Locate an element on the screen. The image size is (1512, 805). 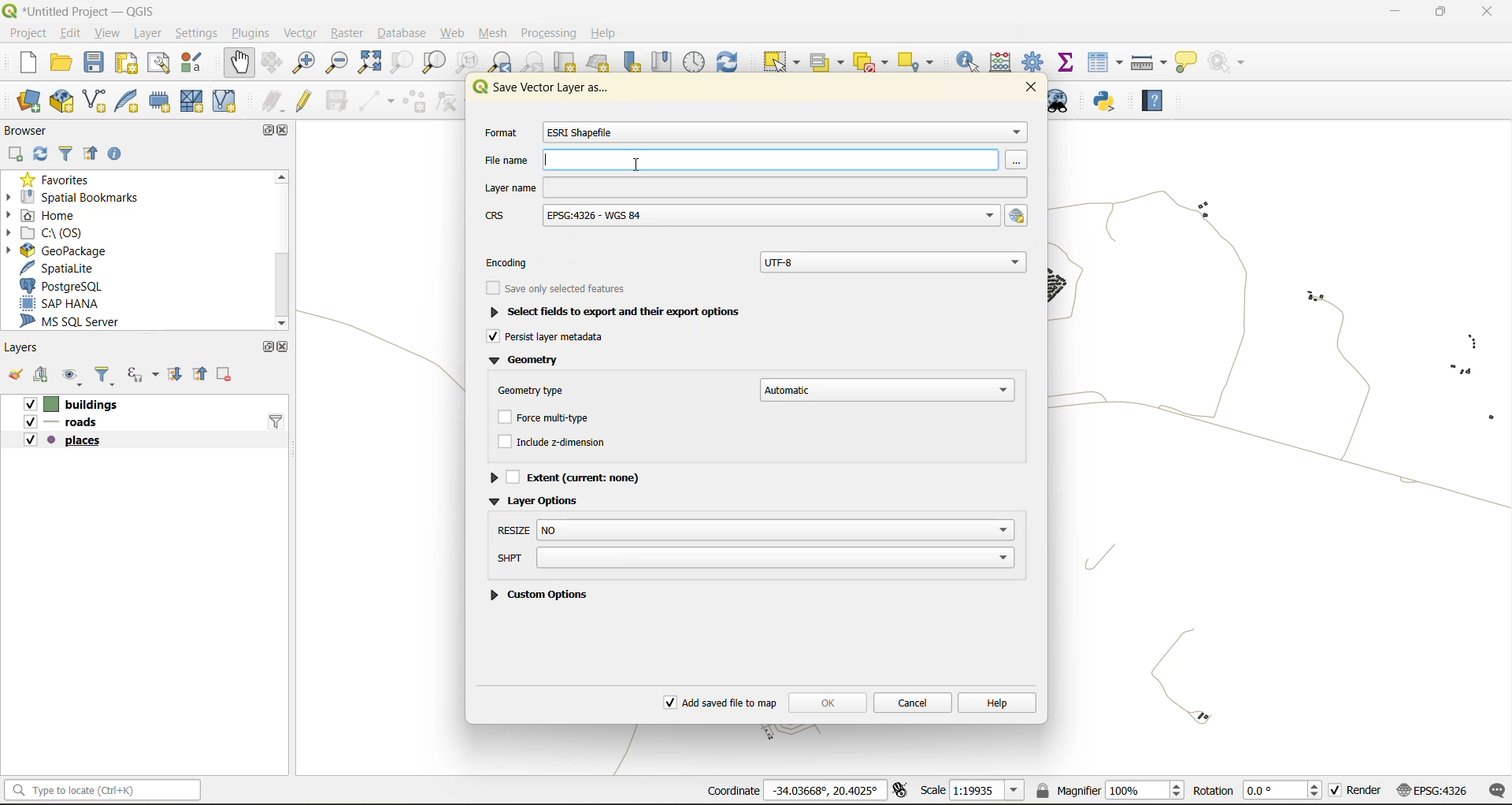
processing is located at coordinates (549, 30).